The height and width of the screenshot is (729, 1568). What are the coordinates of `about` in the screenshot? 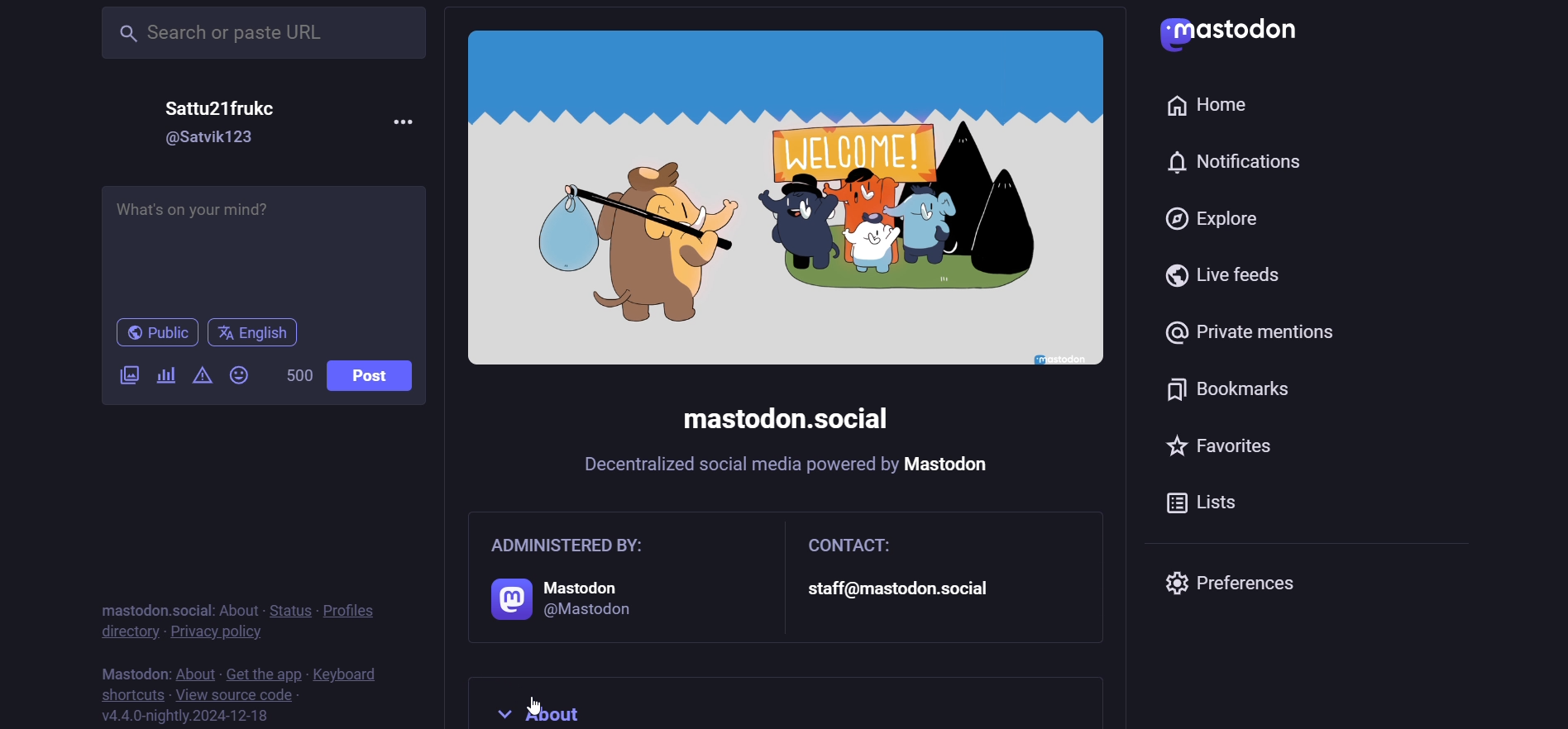 It's located at (194, 672).